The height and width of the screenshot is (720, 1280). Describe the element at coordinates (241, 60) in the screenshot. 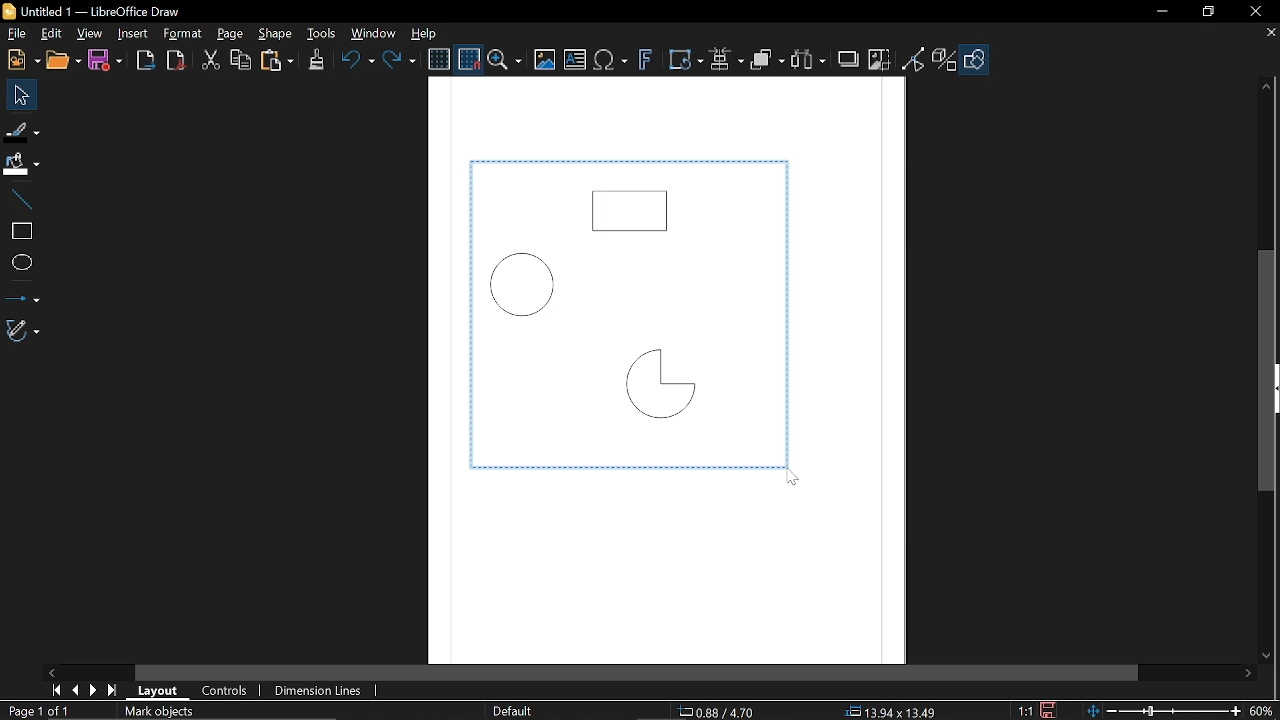

I see `Copy` at that location.